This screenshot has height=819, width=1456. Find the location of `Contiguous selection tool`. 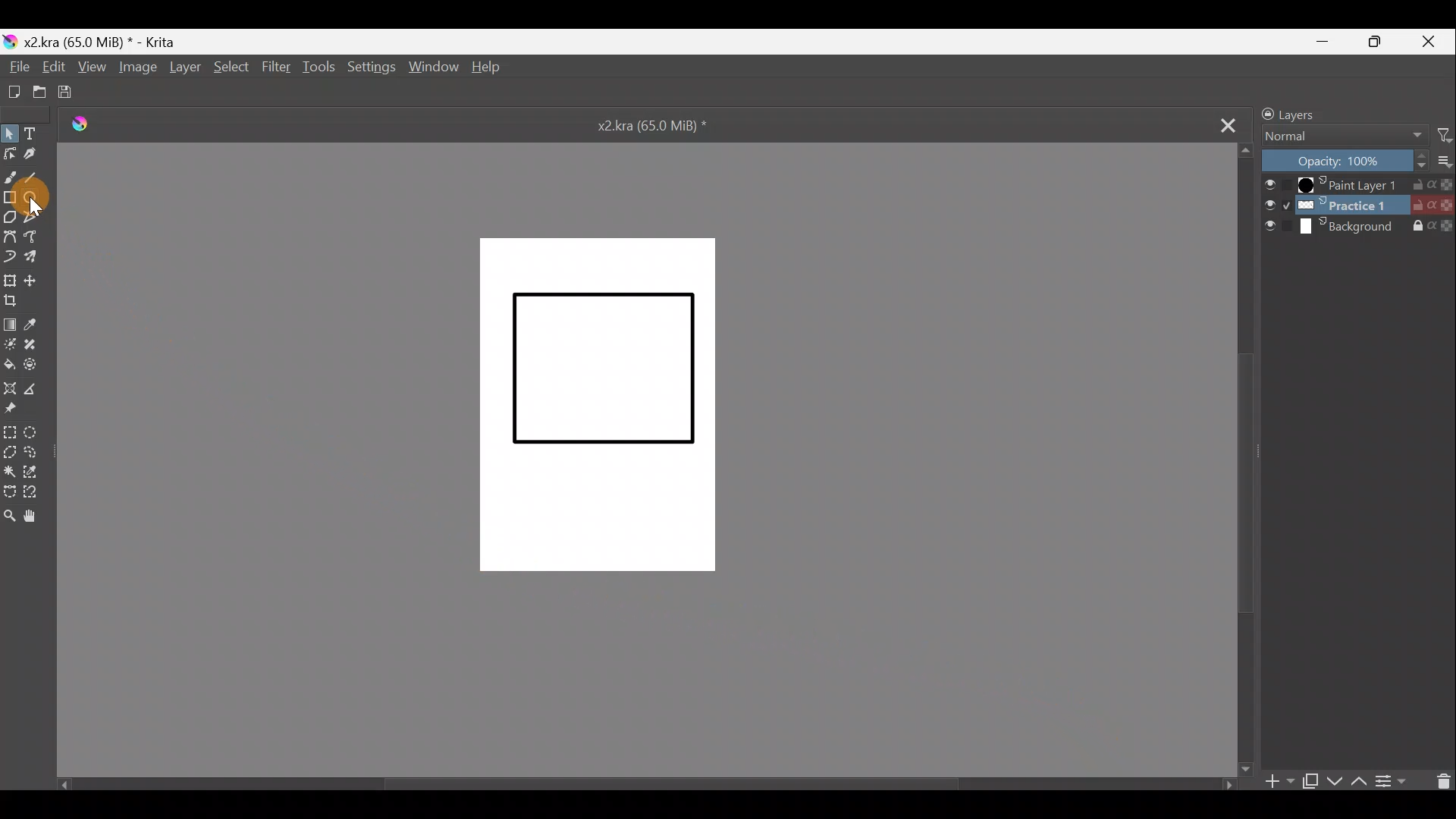

Contiguous selection tool is located at coordinates (9, 469).